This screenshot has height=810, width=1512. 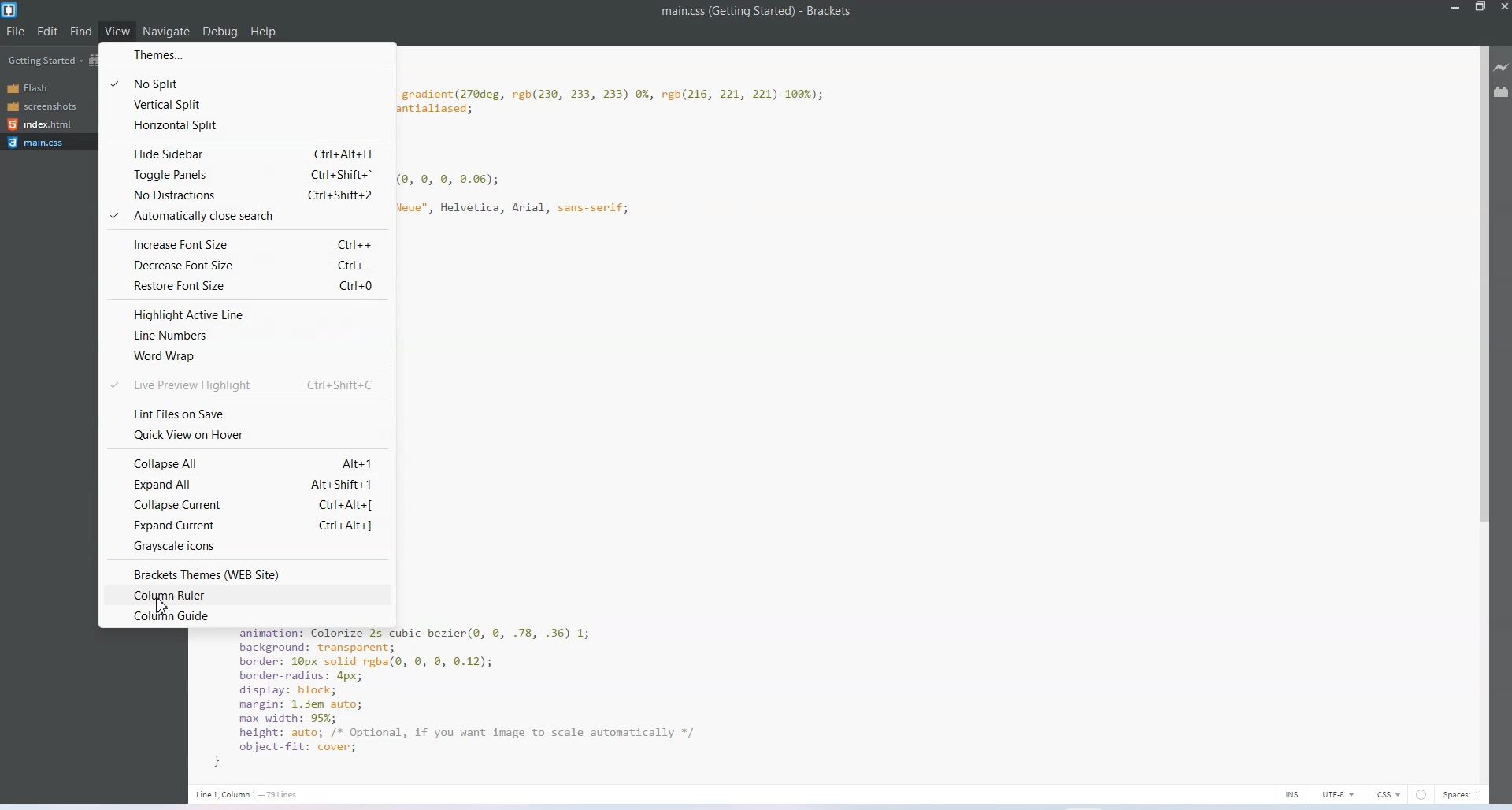 What do you see at coordinates (167, 607) in the screenshot?
I see `Cursor` at bounding box center [167, 607].